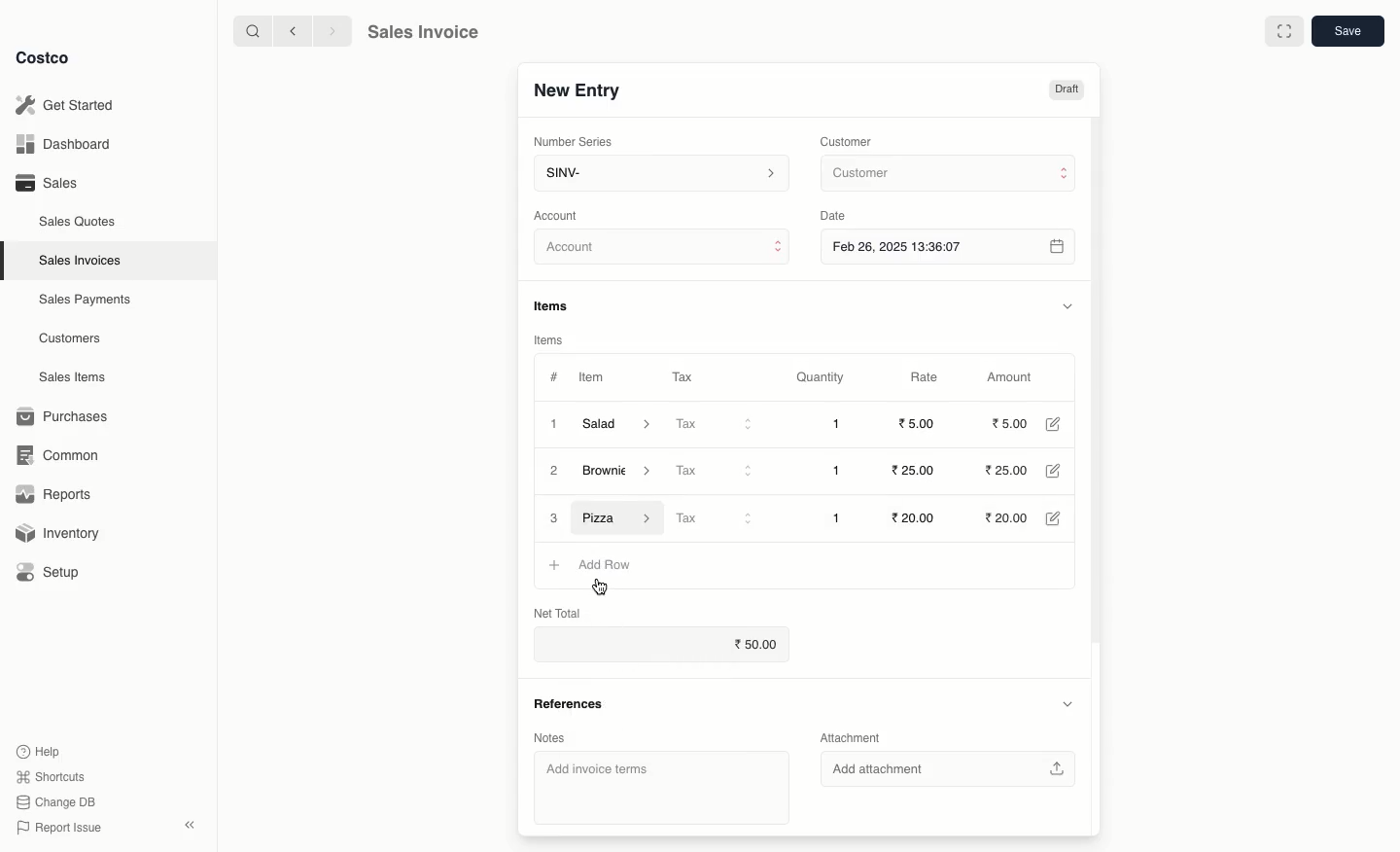 The height and width of the screenshot is (852, 1400). What do you see at coordinates (552, 613) in the screenshot?
I see `Net Total` at bounding box center [552, 613].